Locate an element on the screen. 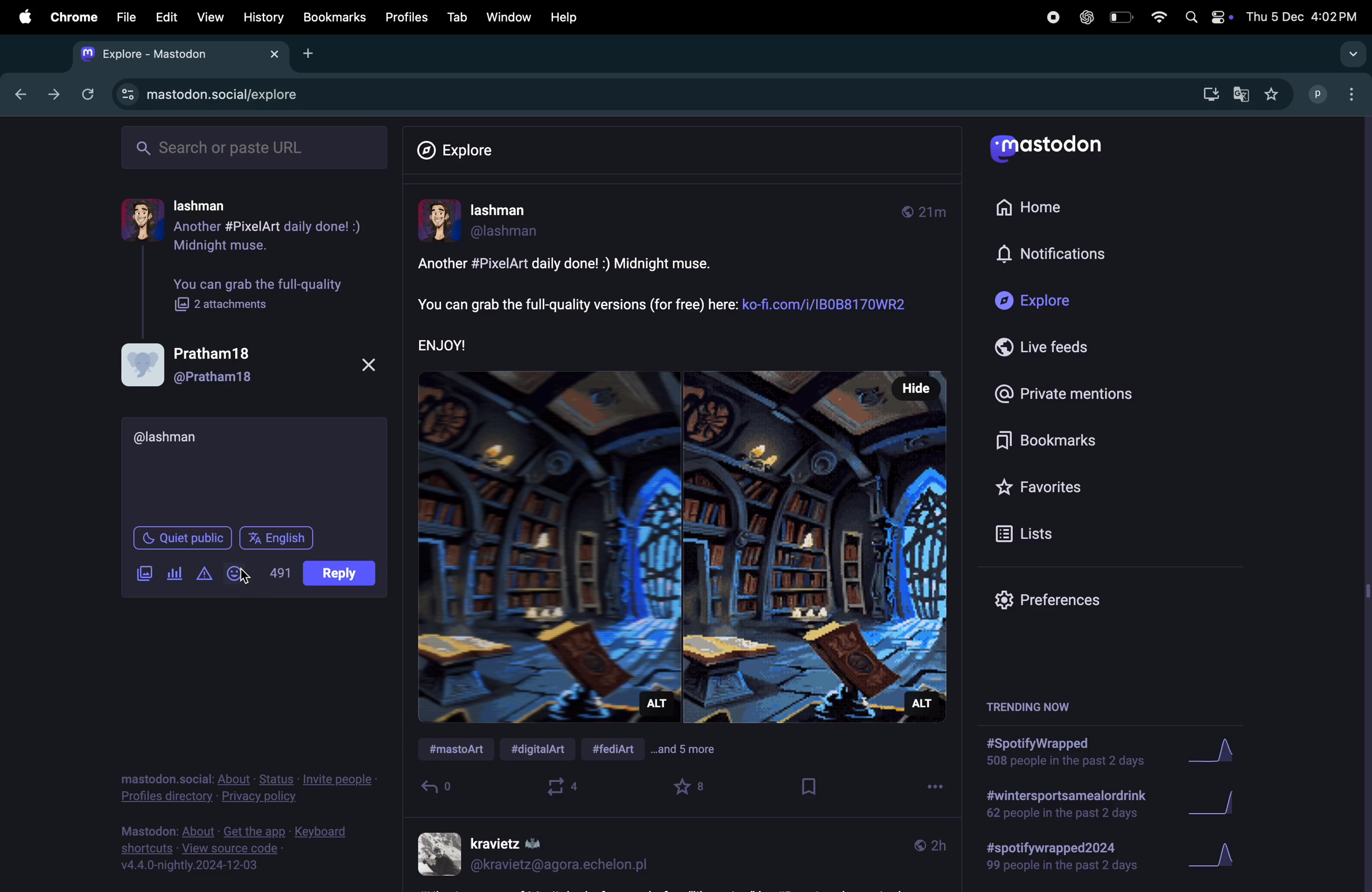 The width and height of the screenshot is (1372, 892). privacy policy is located at coordinates (250, 788).